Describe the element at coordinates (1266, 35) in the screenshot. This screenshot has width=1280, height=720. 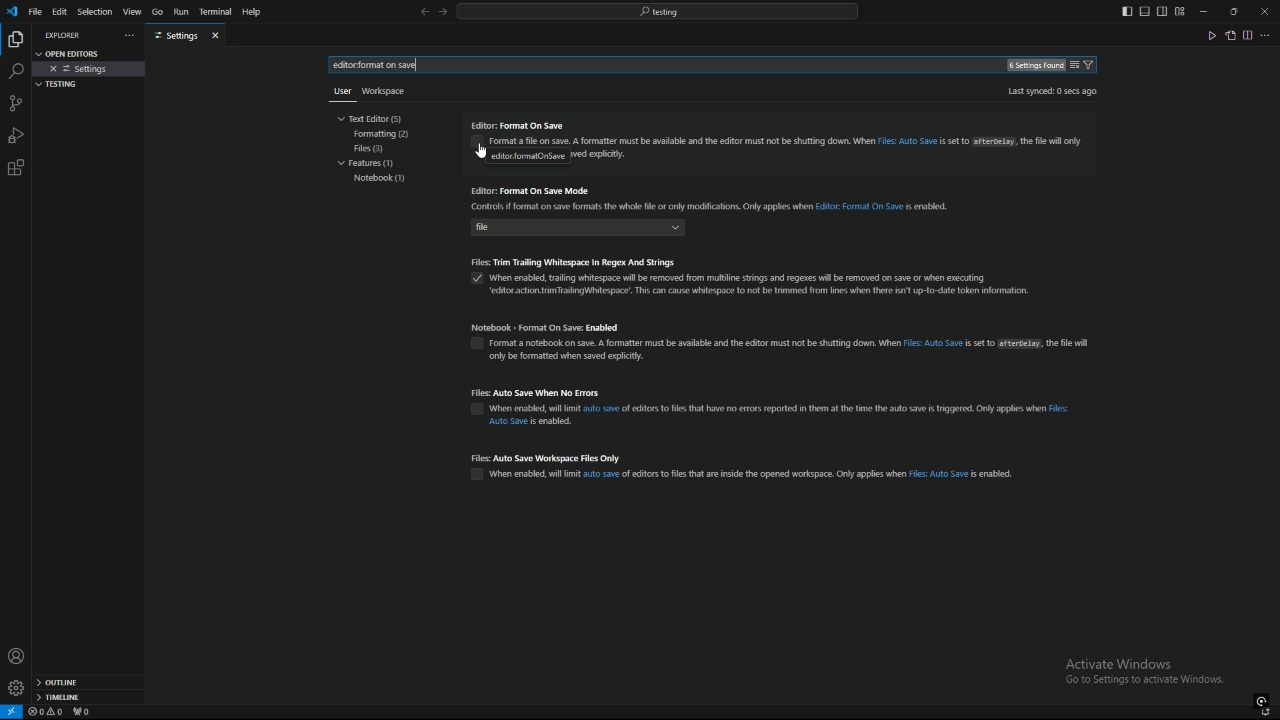
I see `more actions` at that location.